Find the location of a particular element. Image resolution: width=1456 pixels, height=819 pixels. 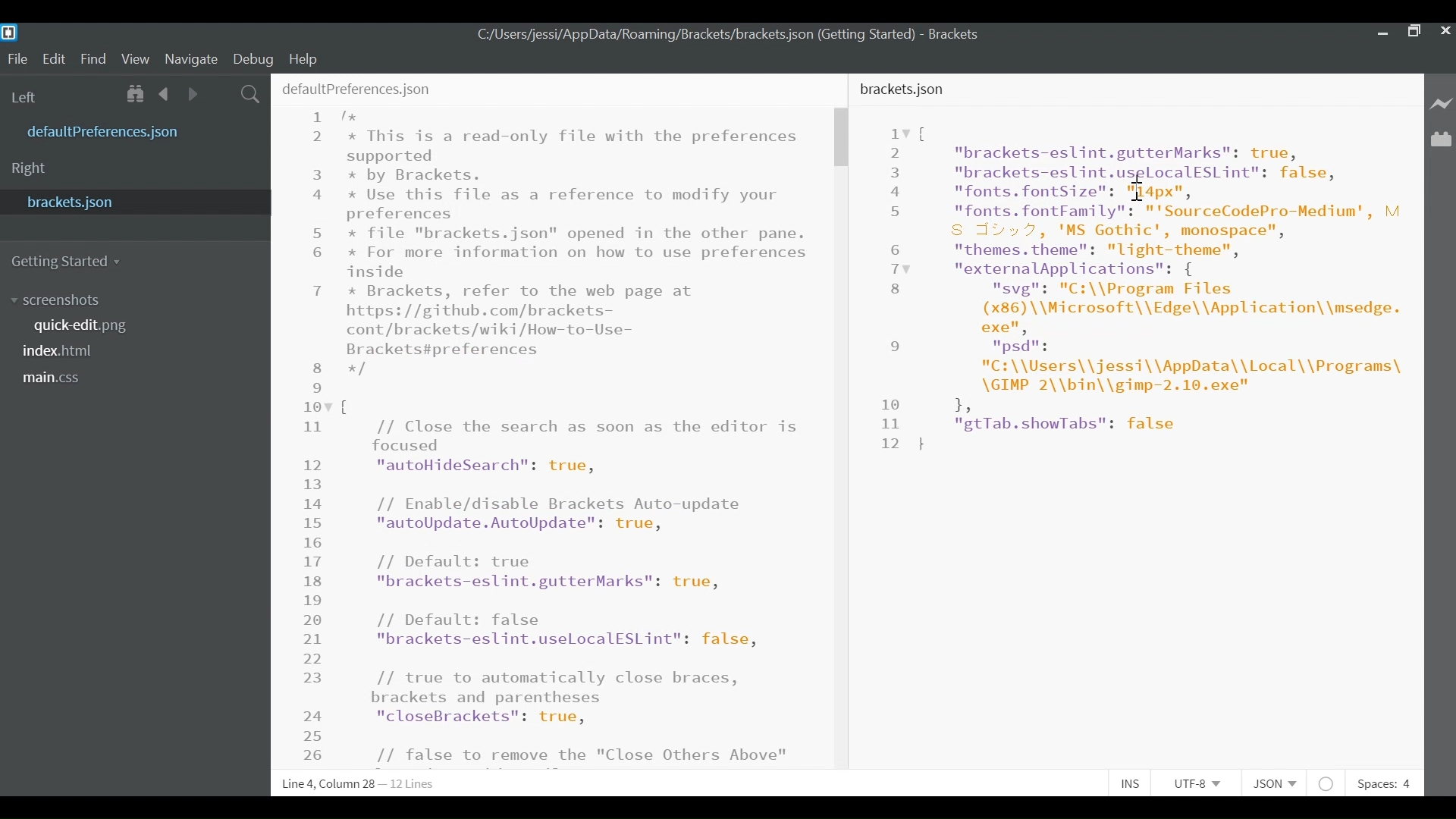

Navigate Back is located at coordinates (165, 94).